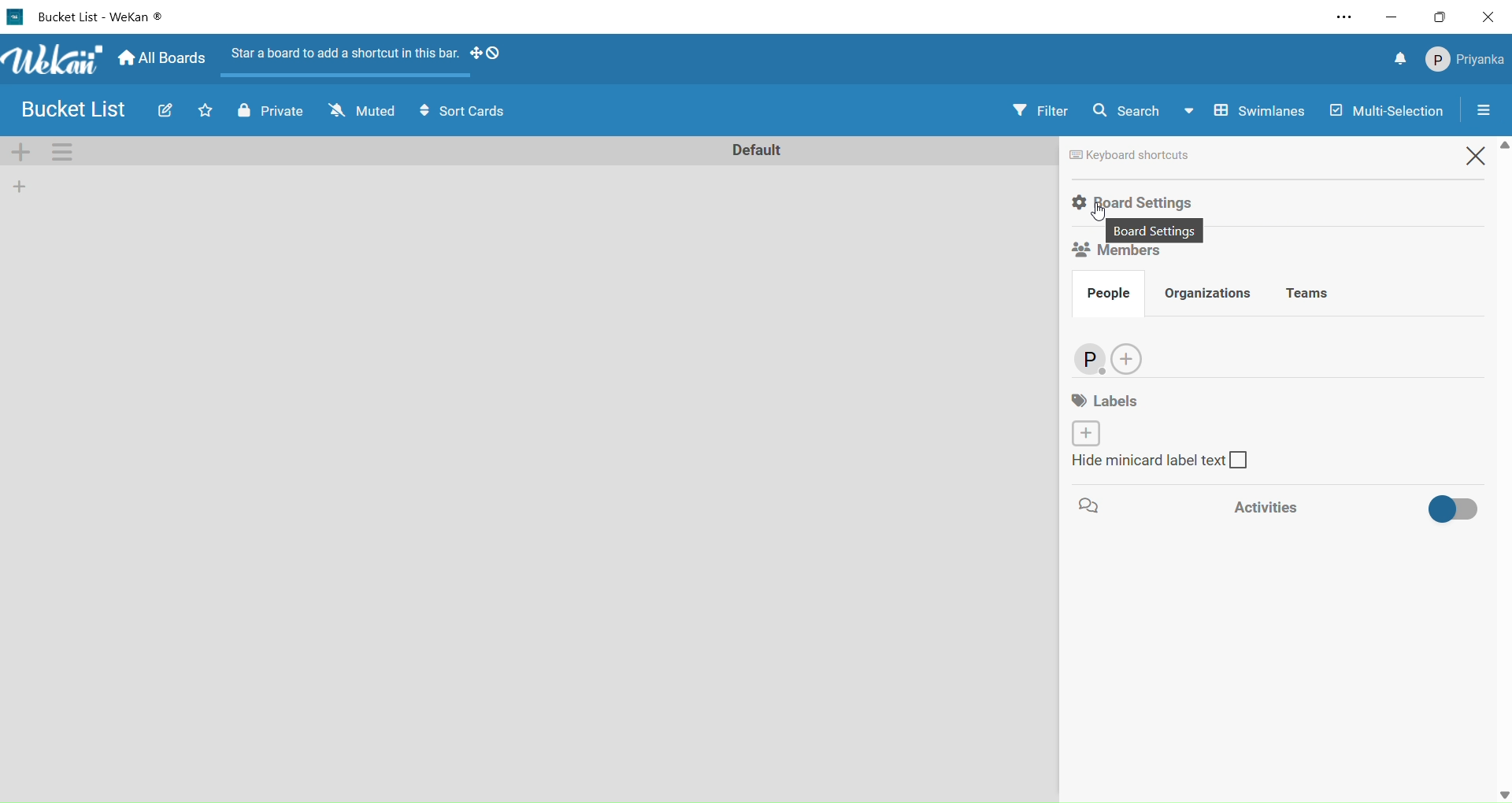 This screenshot has height=803, width=1512. Describe the element at coordinates (1086, 508) in the screenshot. I see `comment` at that location.